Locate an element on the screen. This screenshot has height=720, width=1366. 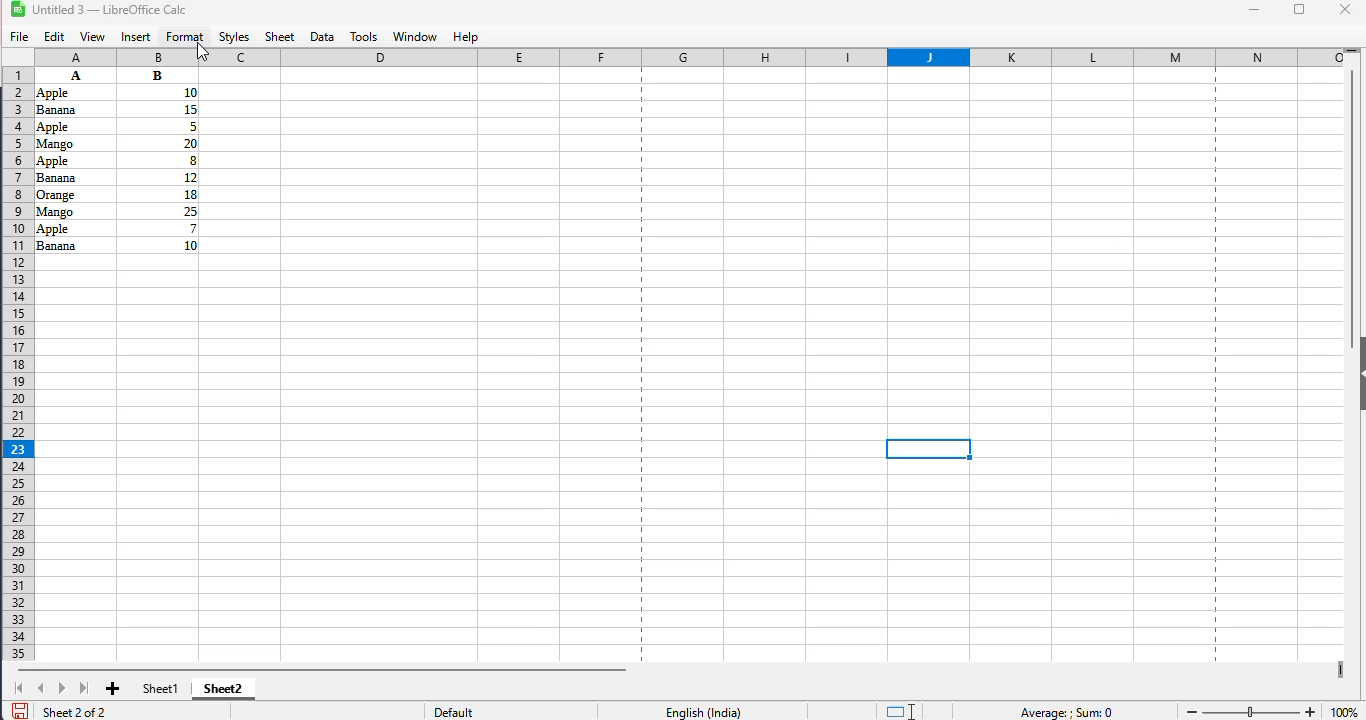
change zoom level is located at coordinates (1251, 710).